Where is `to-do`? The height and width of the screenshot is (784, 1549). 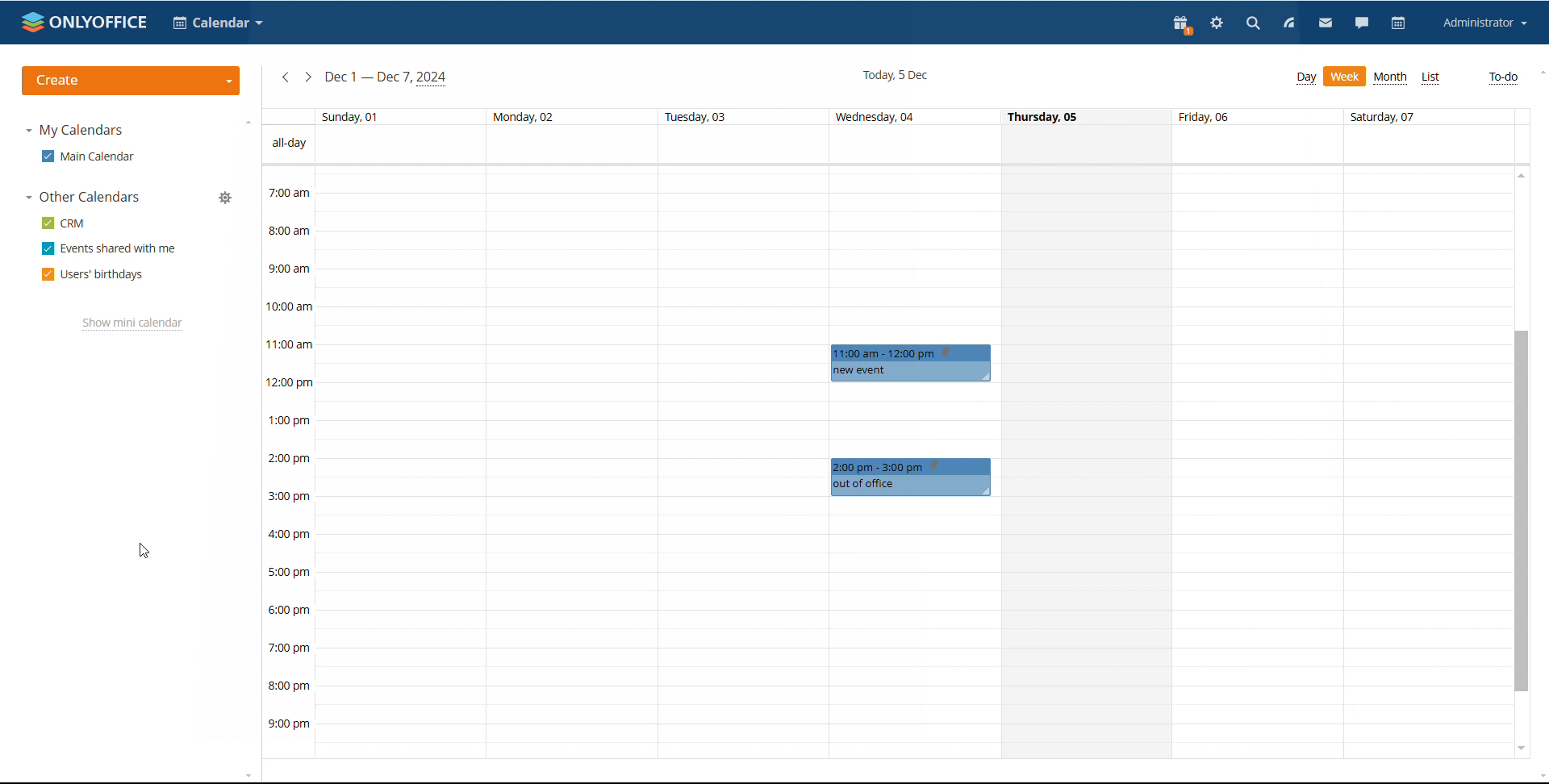 to-do is located at coordinates (1504, 78).